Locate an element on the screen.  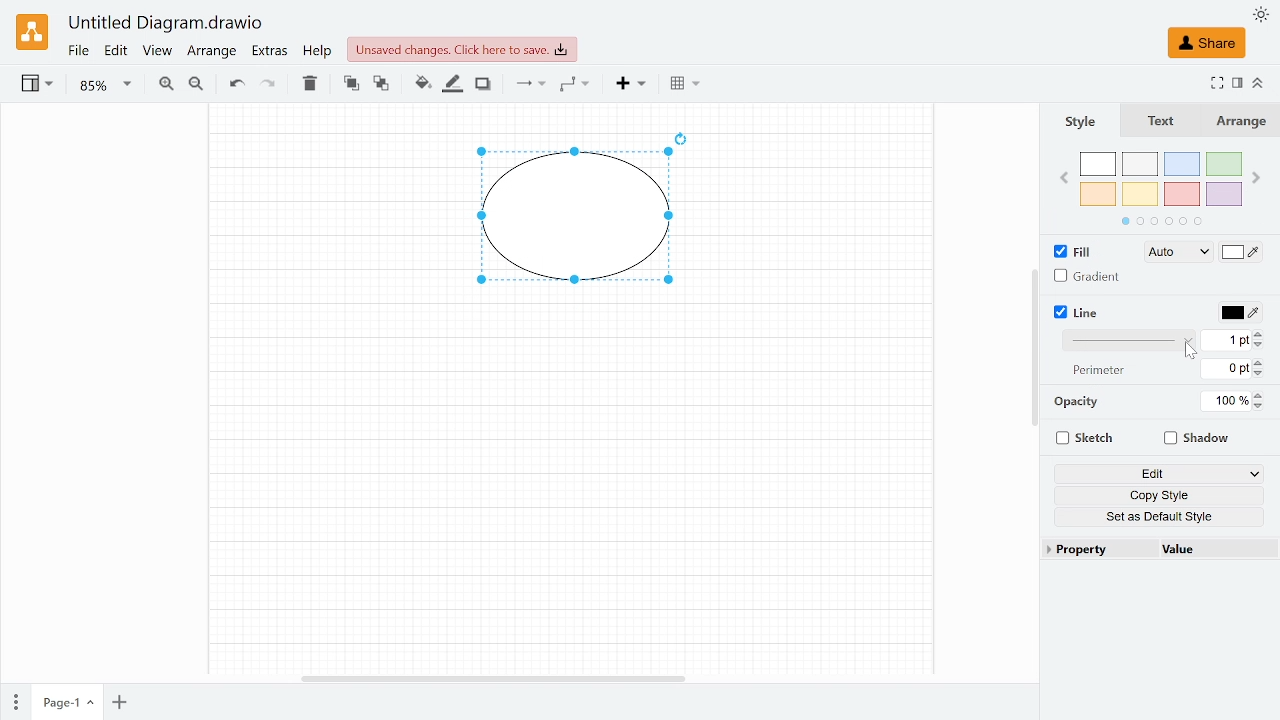
Appearence is located at coordinates (1259, 16).